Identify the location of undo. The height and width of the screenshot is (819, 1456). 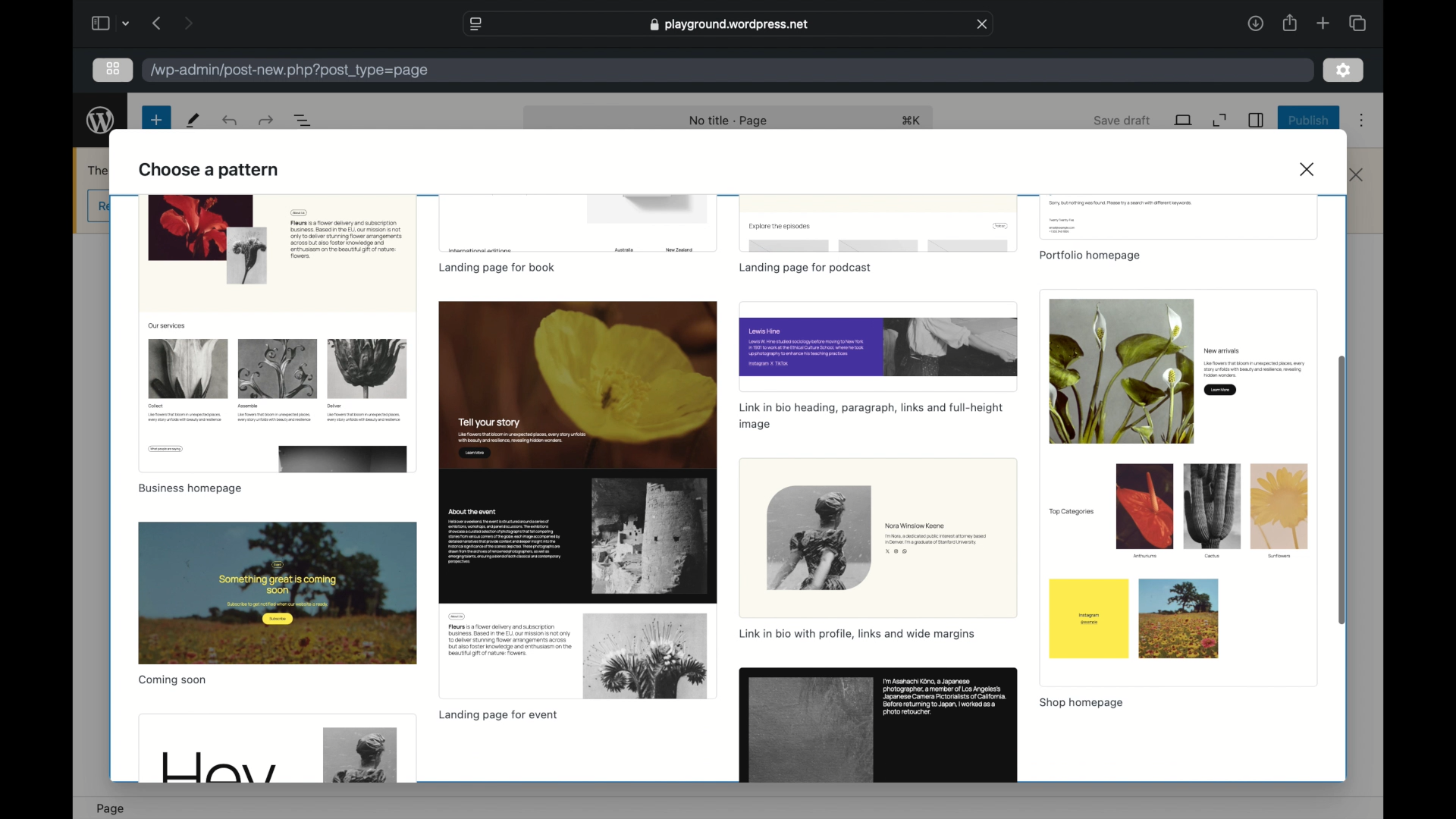
(268, 120).